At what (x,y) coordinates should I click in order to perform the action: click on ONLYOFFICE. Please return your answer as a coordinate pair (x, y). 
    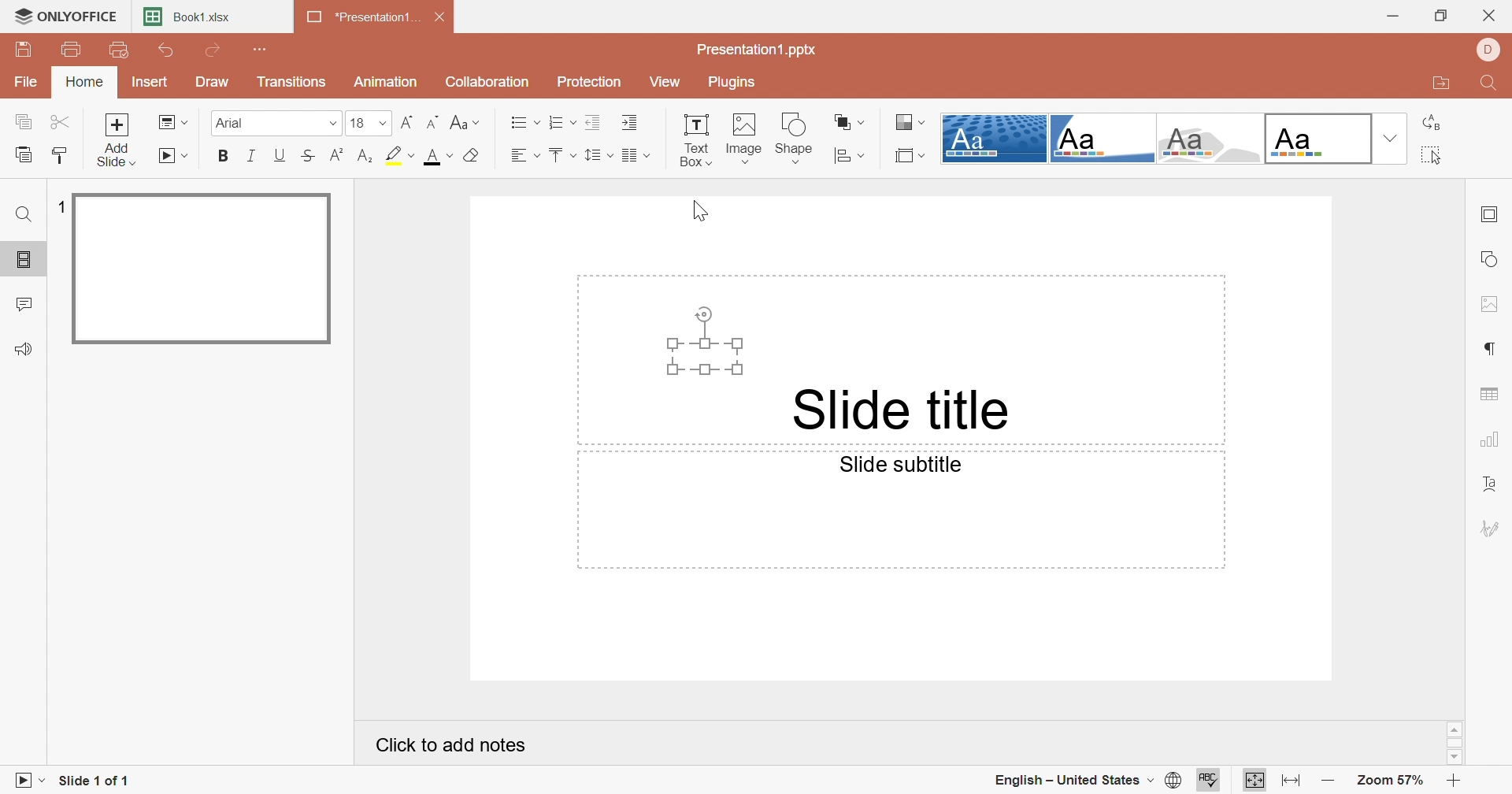
    Looking at the image, I should click on (64, 16).